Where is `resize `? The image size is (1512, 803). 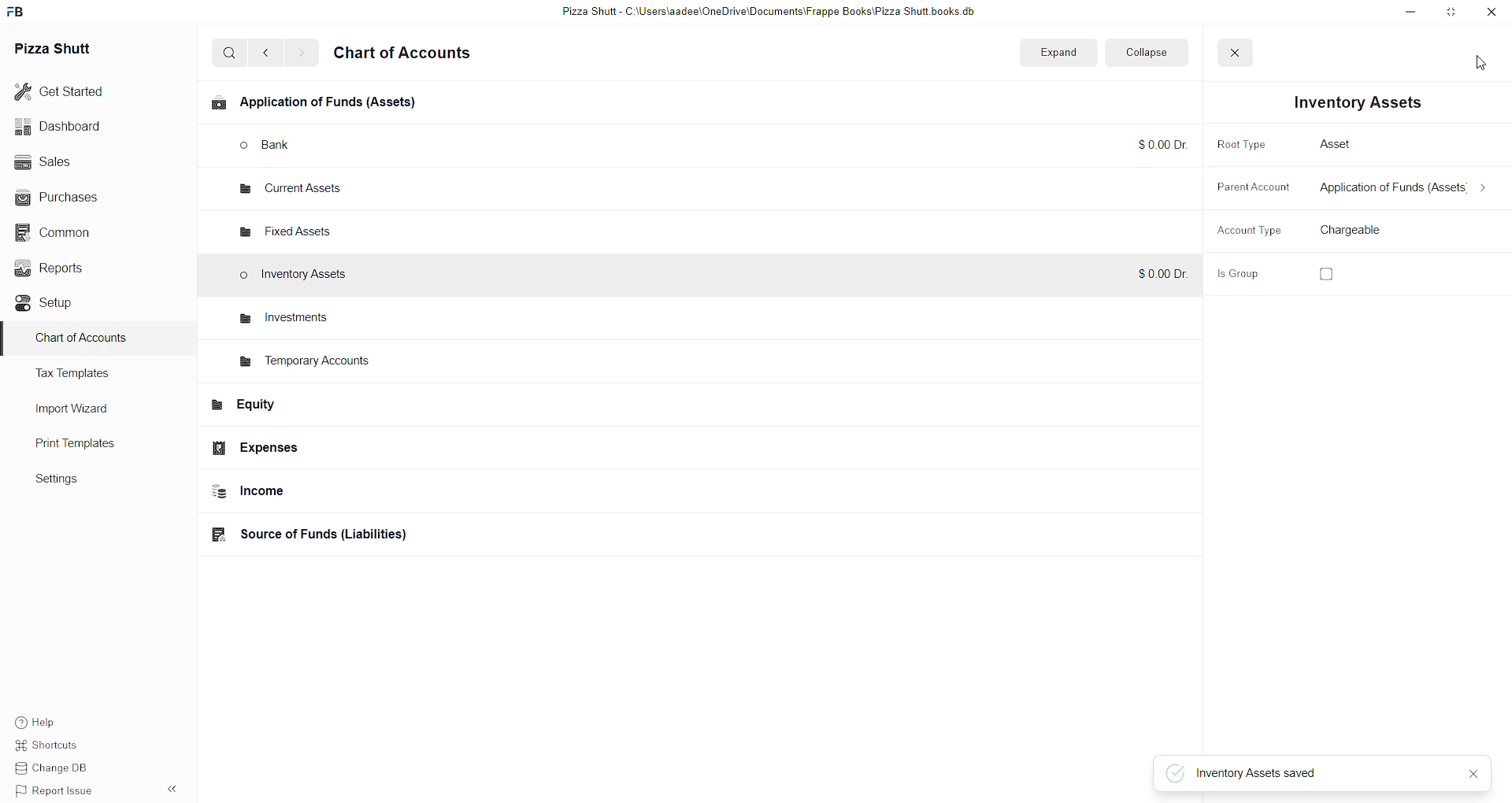 resize  is located at coordinates (1451, 13).